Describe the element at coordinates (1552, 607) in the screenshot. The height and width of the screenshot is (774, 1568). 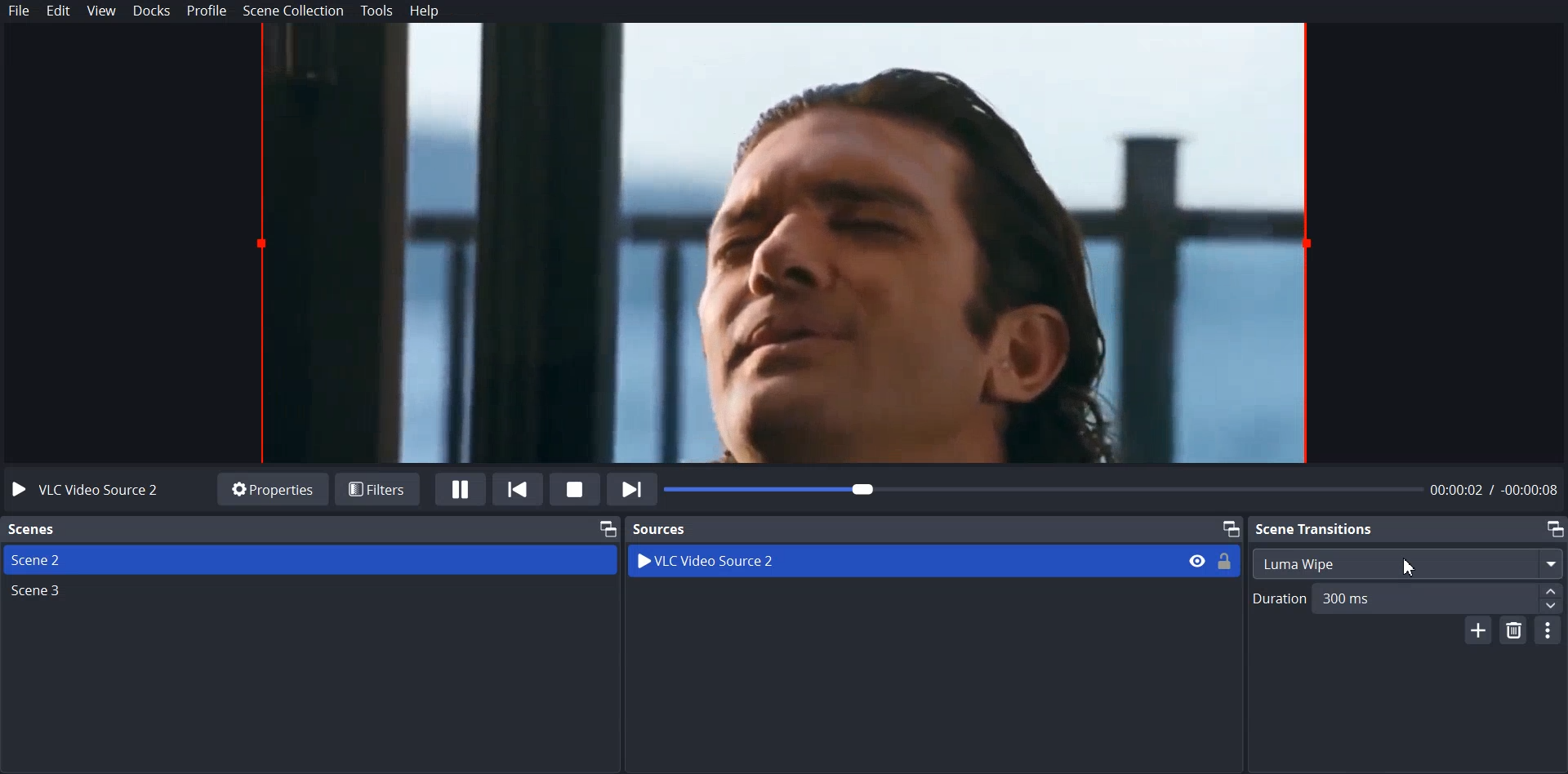
I see `Down` at that location.